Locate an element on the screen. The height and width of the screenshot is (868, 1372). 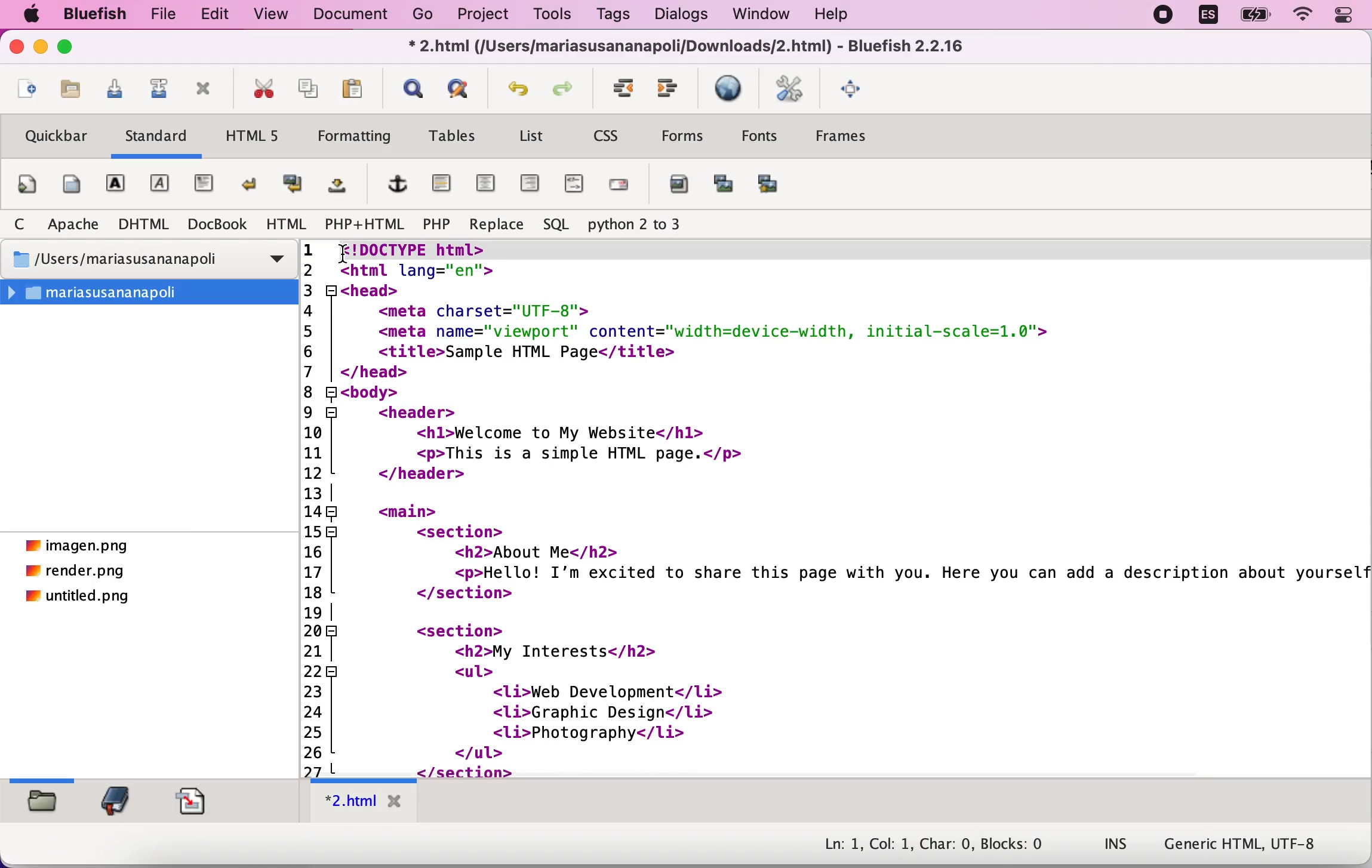
minimize is located at coordinates (41, 48).